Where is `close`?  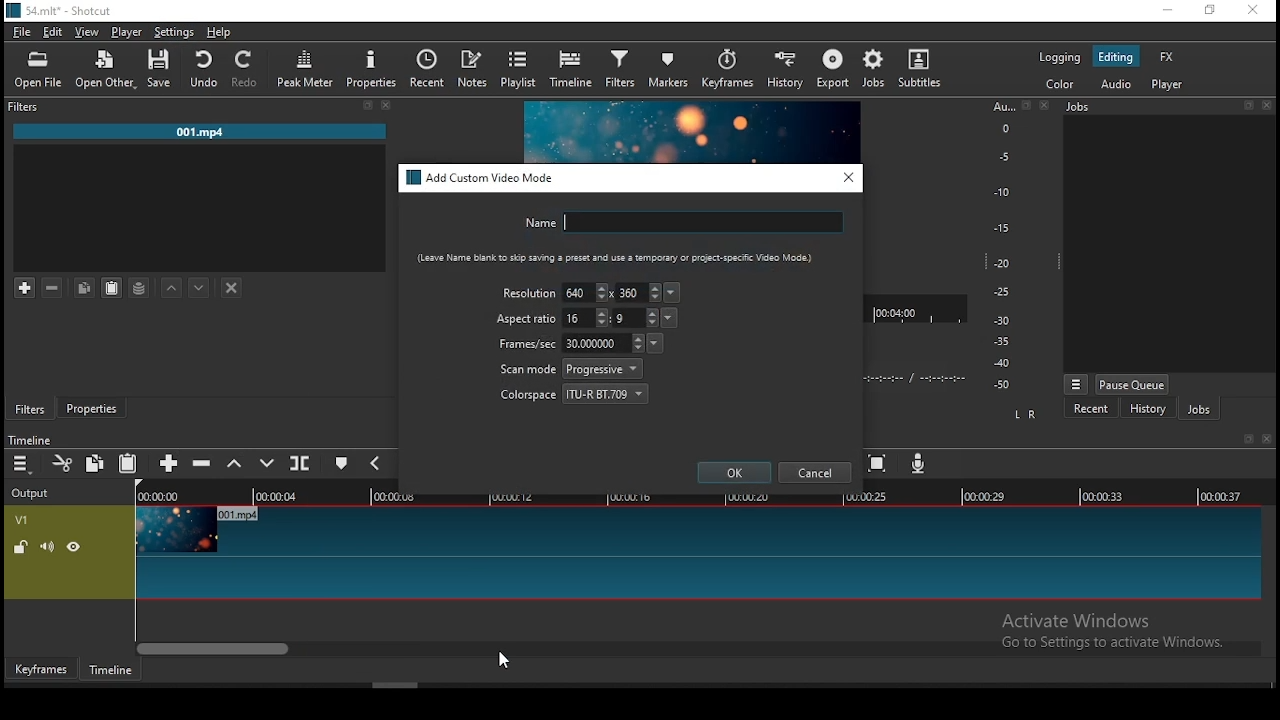
close is located at coordinates (1270, 108).